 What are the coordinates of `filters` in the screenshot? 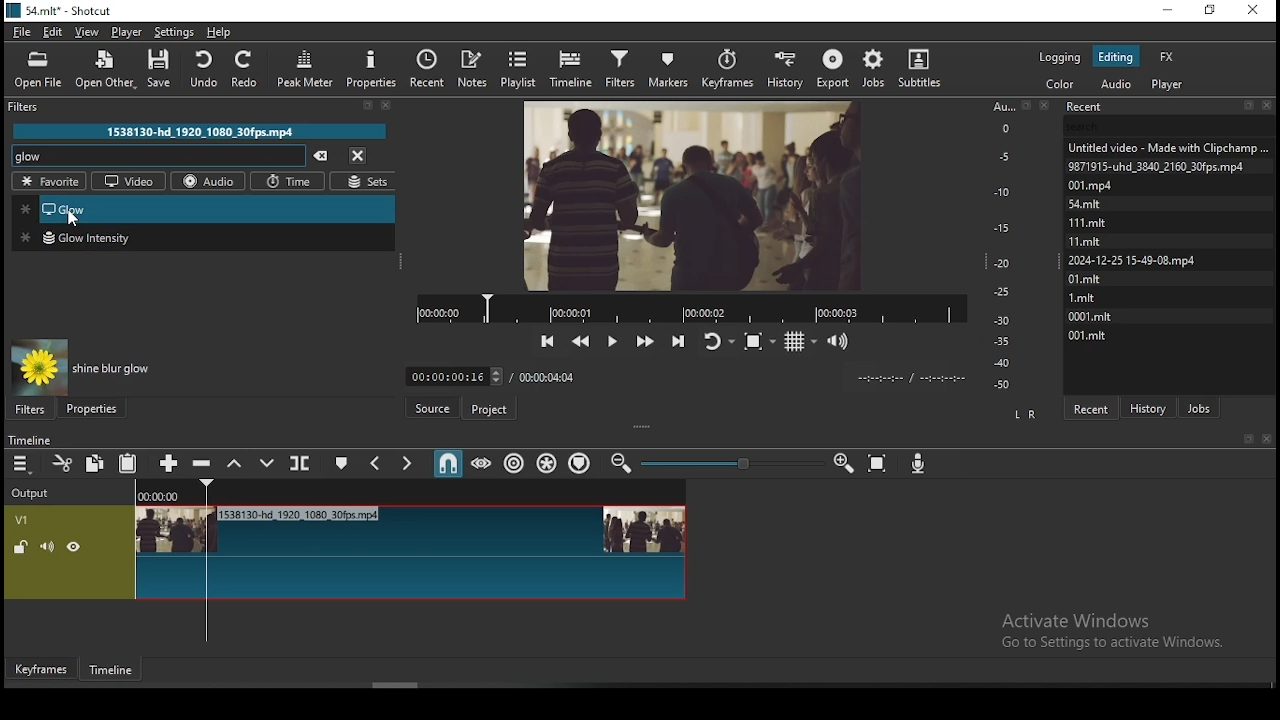 It's located at (619, 66).